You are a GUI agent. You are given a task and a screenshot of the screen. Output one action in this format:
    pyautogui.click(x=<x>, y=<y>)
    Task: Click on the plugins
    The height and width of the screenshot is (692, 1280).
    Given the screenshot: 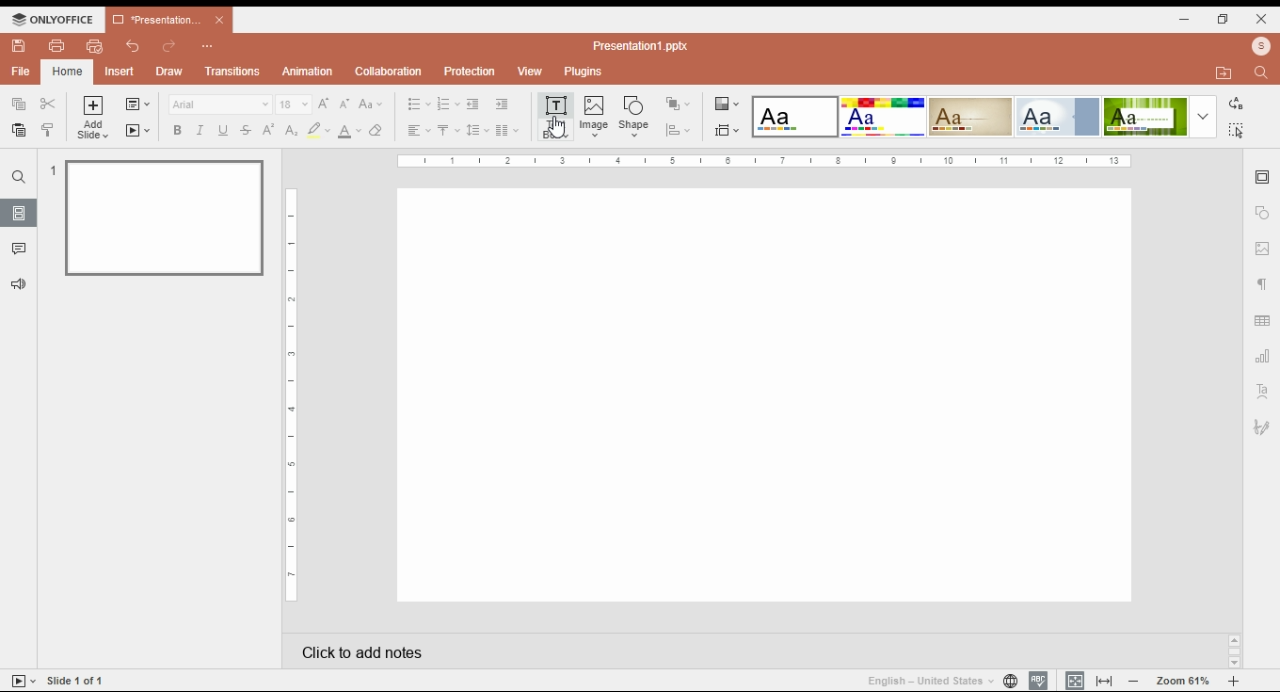 What is the action you would take?
    pyautogui.click(x=582, y=71)
    